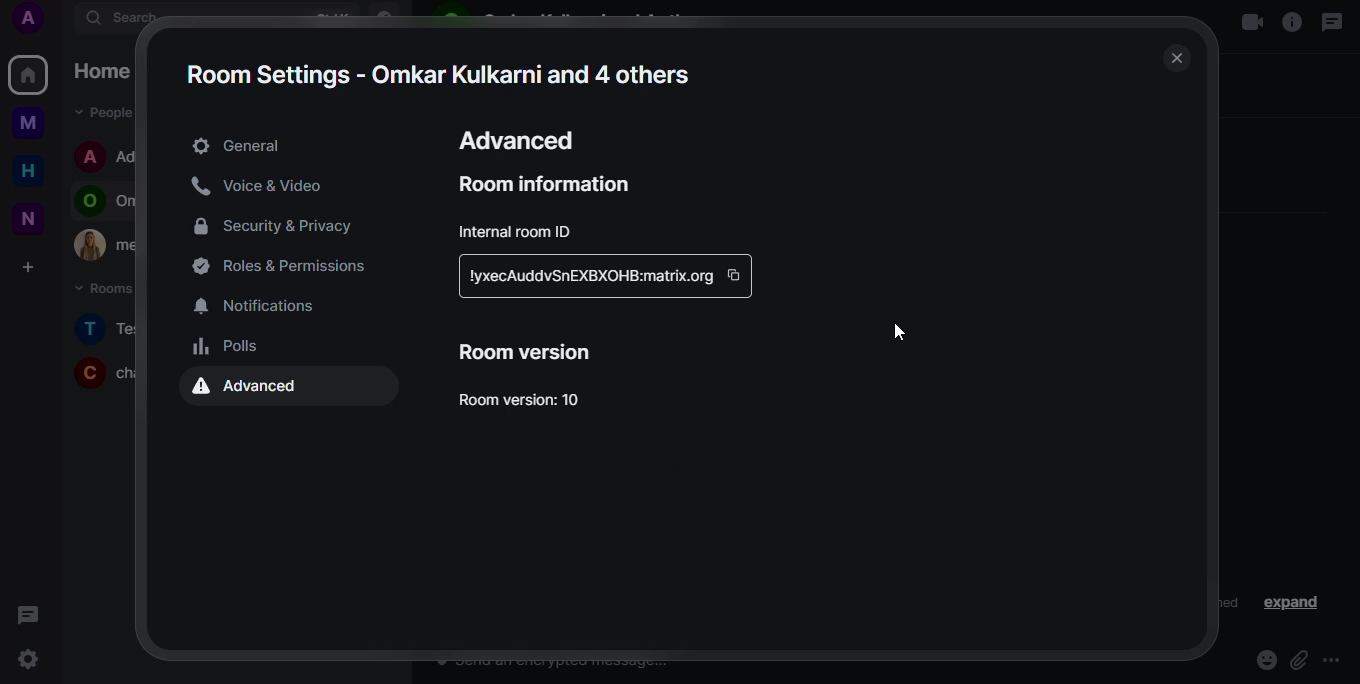  I want to click on more, so click(1331, 661).